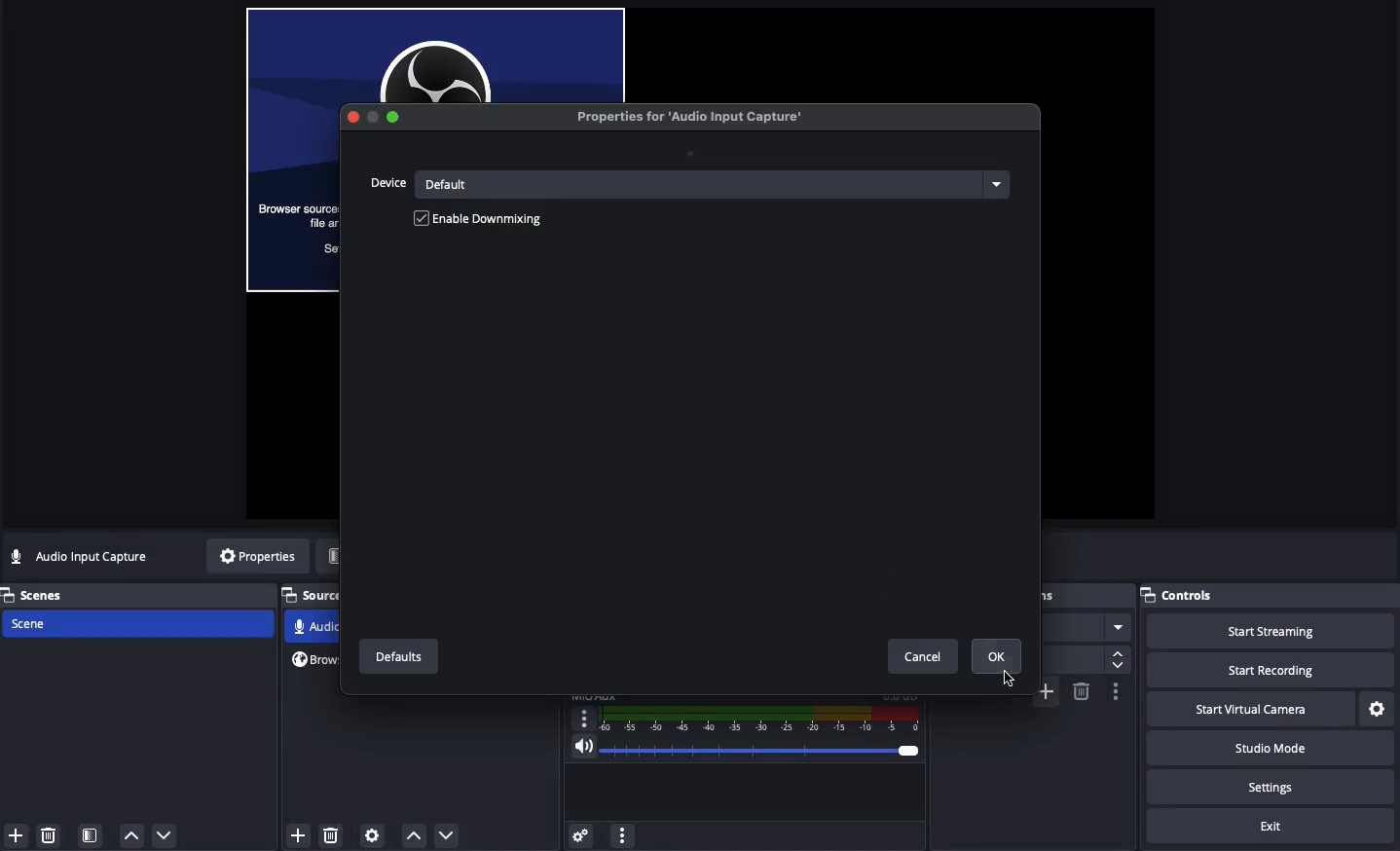 The image size is (1400, 851). Describe the element at coordinates (998, 656) in the screenshot. I see `Ok` at that location.